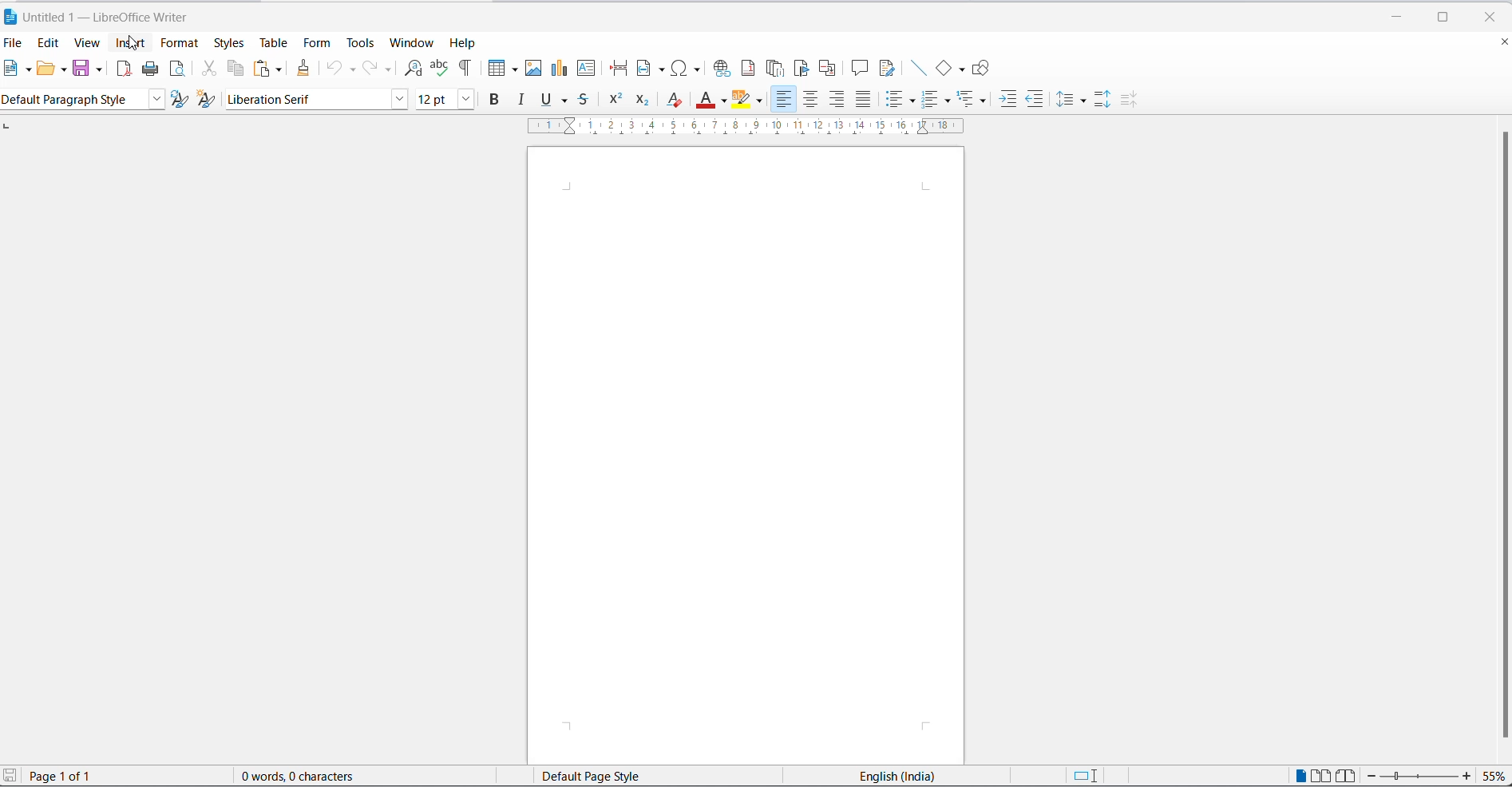  Describe the element at coordinates (534, 68) in the screenshot. I see `insert images` at that location.